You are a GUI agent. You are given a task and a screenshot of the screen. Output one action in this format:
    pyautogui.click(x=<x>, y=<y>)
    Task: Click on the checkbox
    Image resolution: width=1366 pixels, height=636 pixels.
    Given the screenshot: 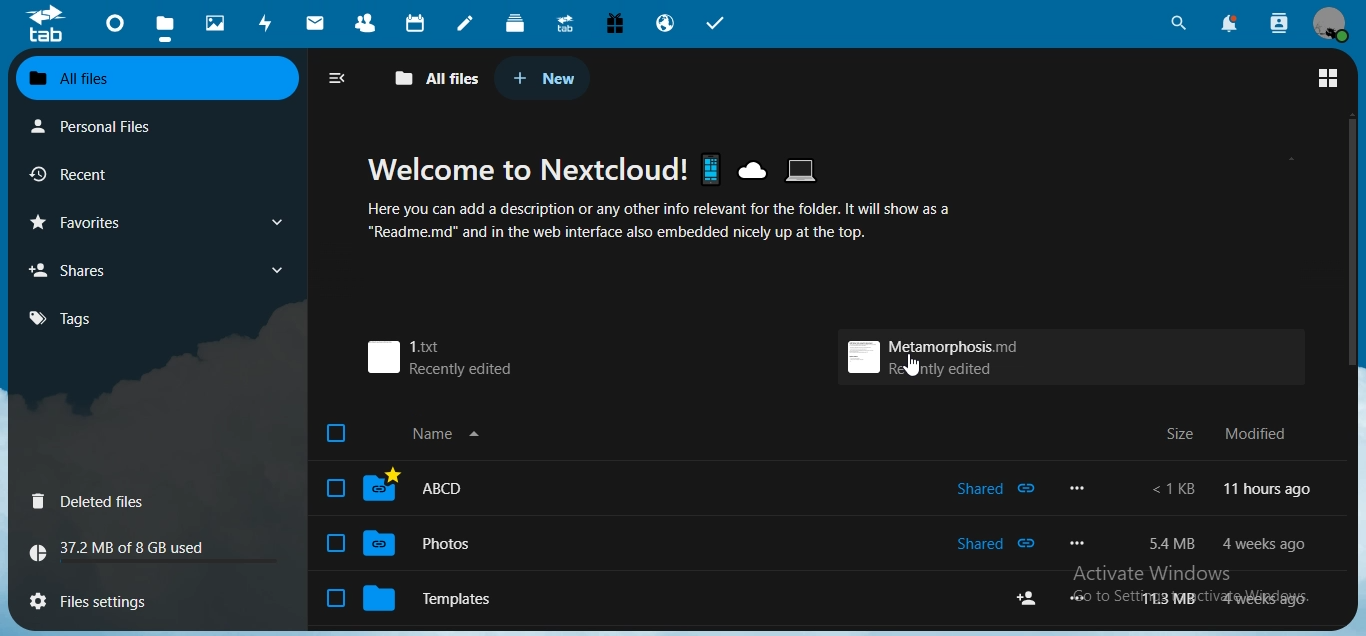 What is the action you would take?
    pyautogui.click(x=337, y=436)
    